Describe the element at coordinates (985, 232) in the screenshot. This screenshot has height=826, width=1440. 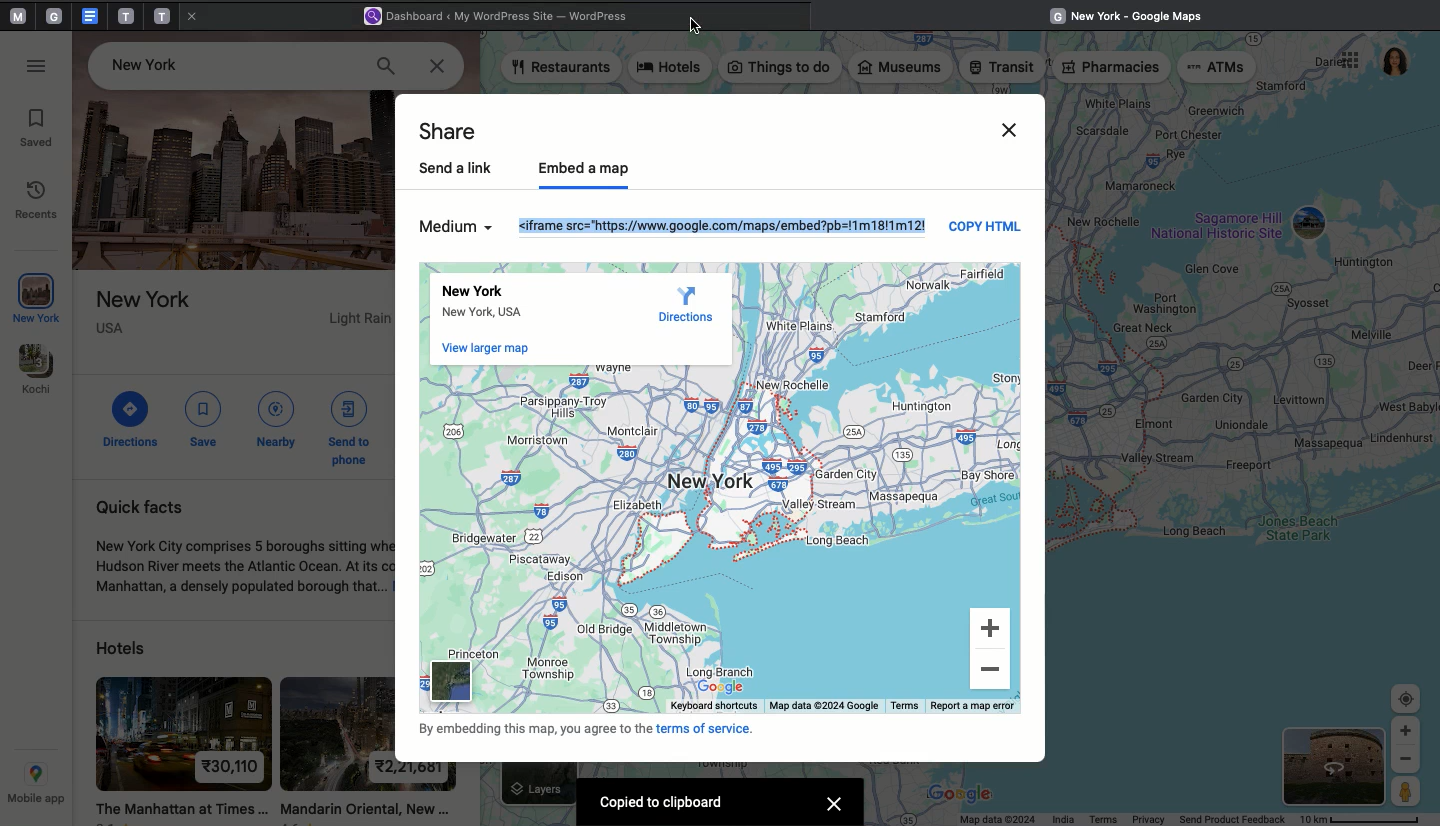
I see `Copy html` at that location.